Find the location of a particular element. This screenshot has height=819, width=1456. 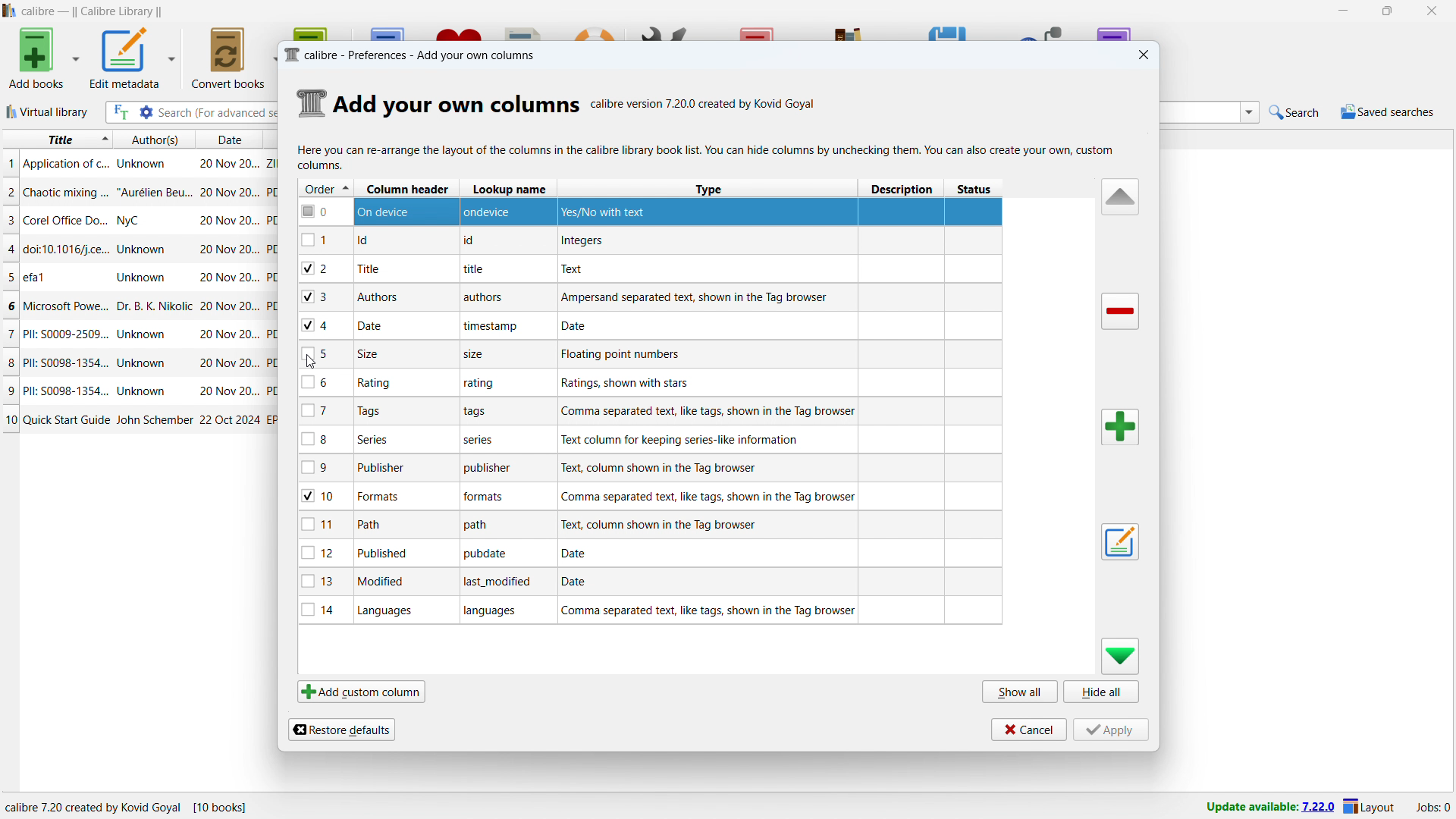

ondevice is located at coordinates (494, 211).